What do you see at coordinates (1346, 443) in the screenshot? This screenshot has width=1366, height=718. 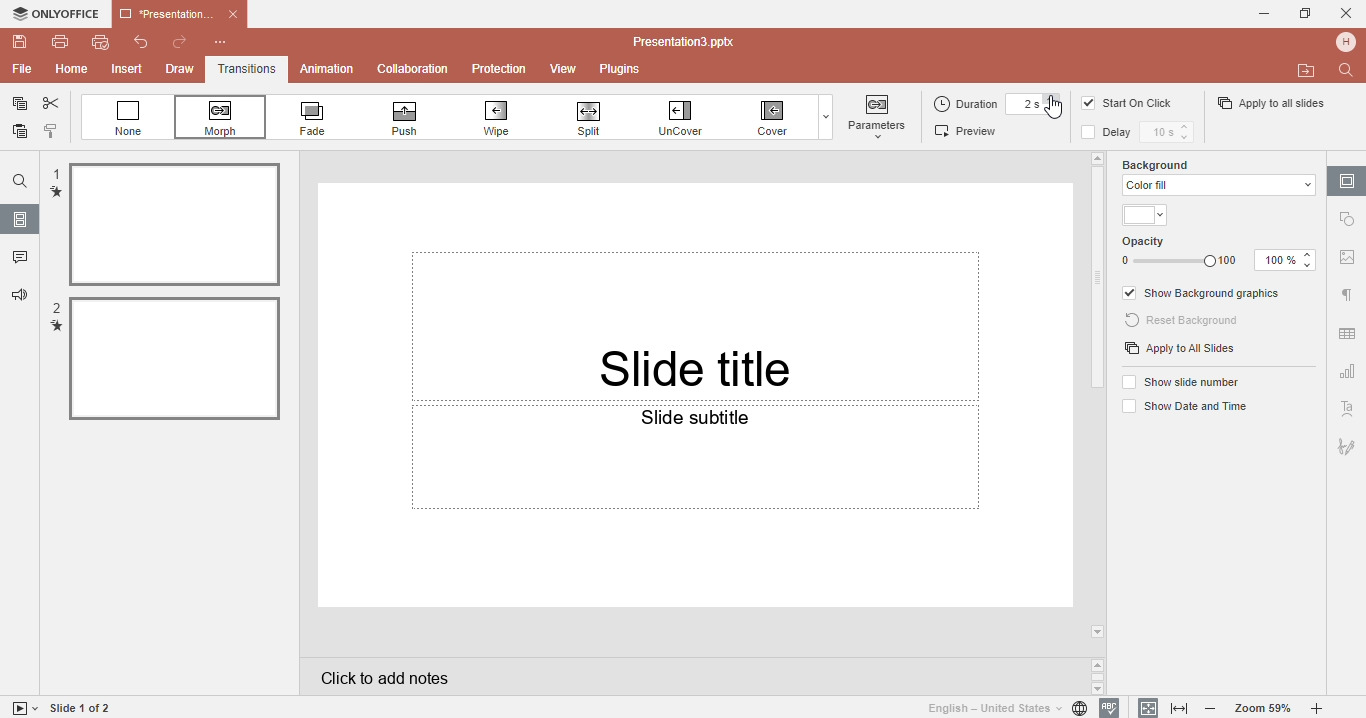 I see `Signature setting` at bounding box center [1346, 443].